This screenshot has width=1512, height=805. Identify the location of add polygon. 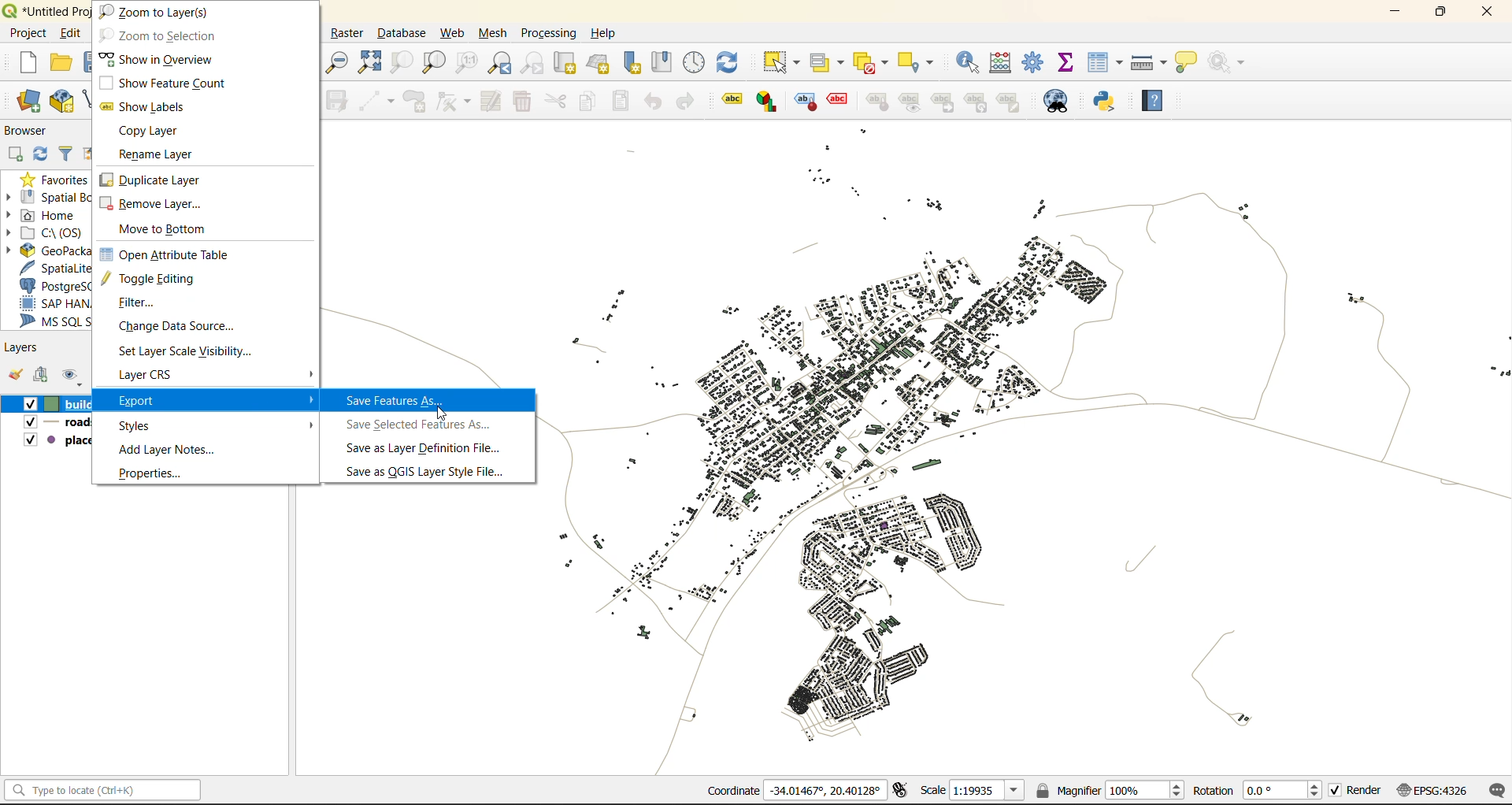
(414, 99).